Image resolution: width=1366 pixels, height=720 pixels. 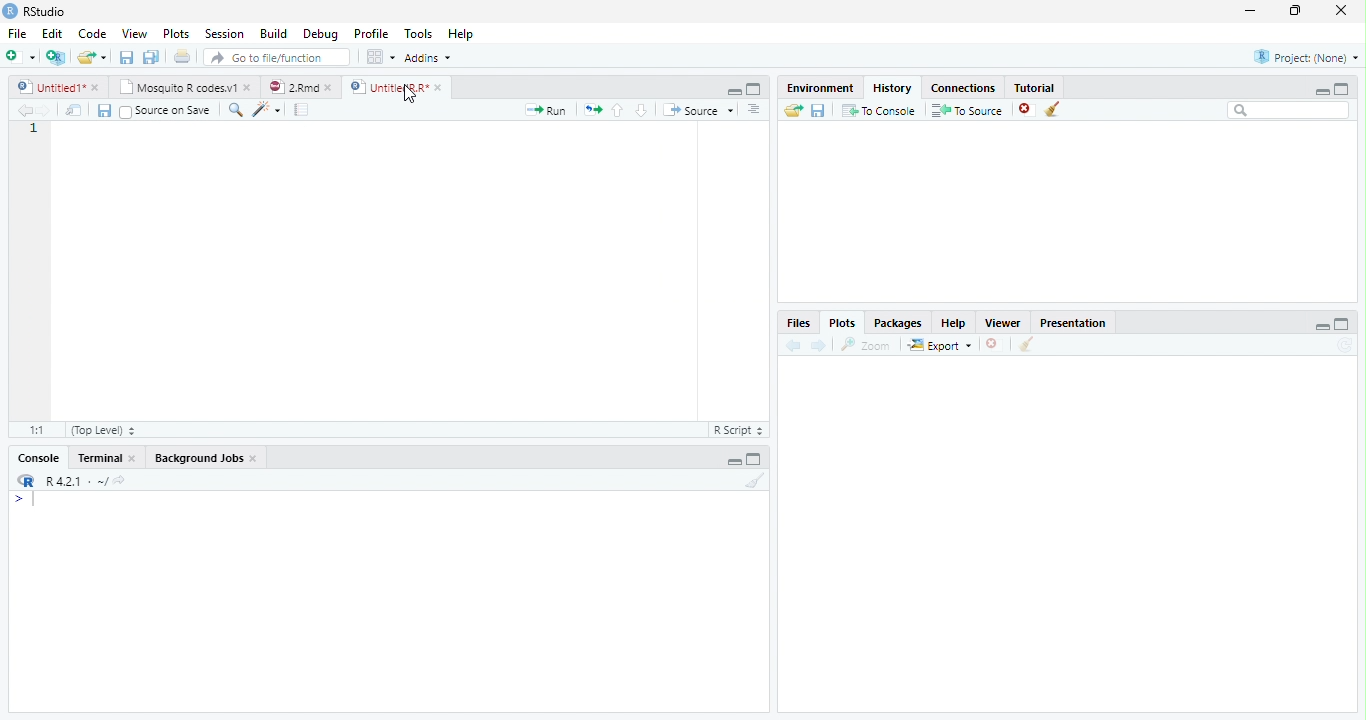 I want to click on Source on Save, so click(x=168, y=111).